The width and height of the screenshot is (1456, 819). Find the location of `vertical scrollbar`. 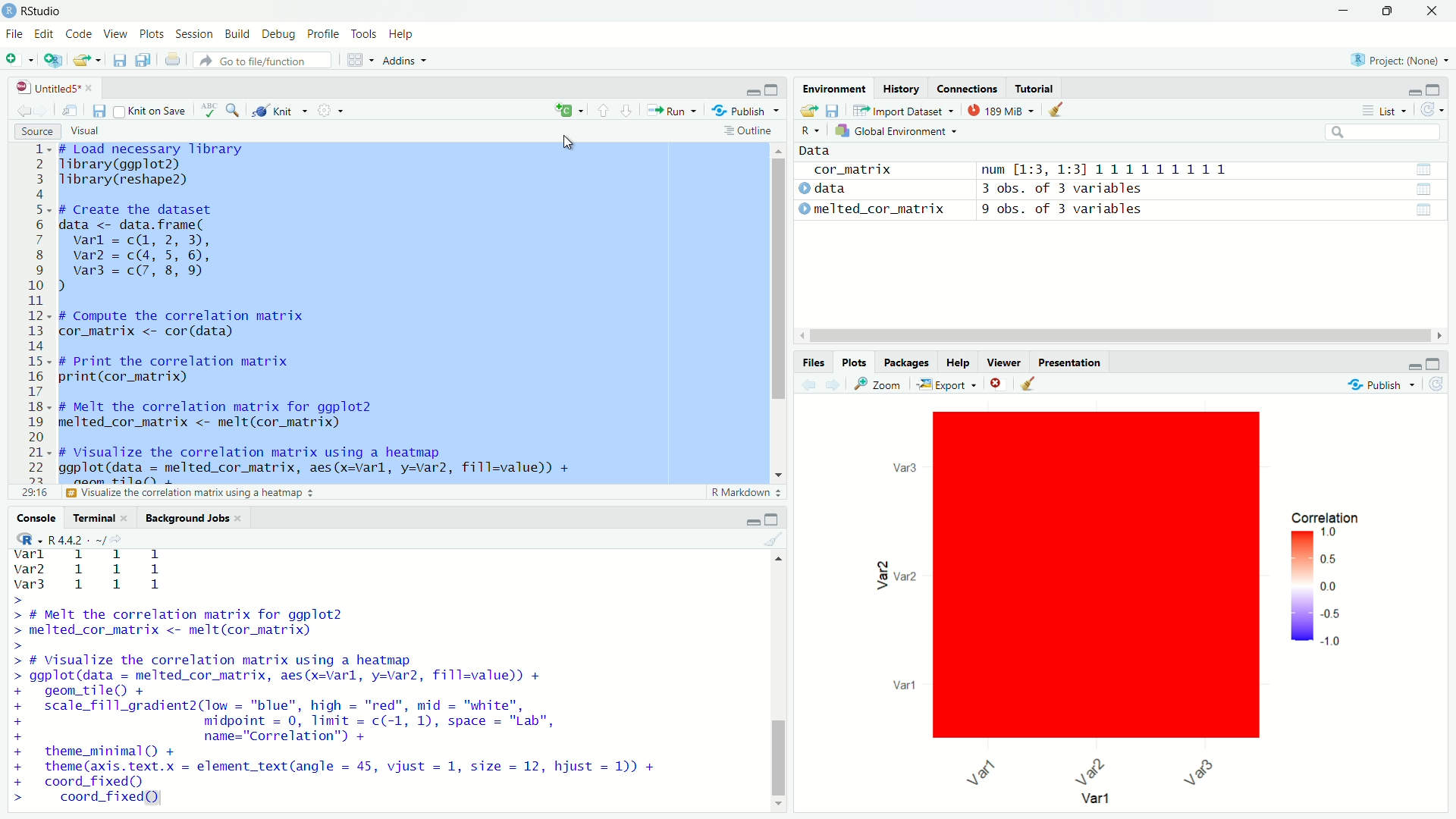

vertical scrollbar is located at coordinates (780, 280).